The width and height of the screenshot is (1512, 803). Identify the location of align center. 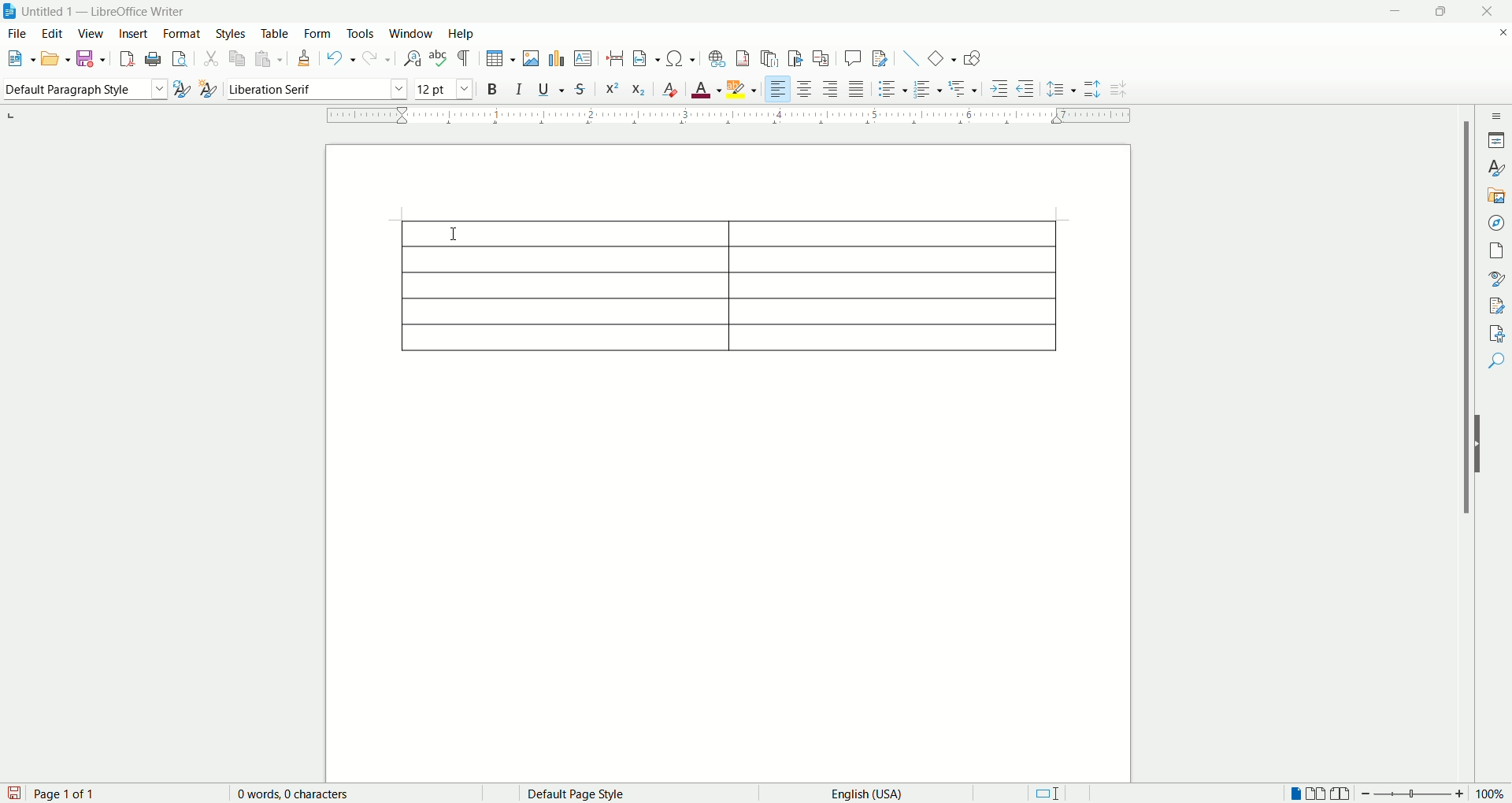
(804, 88).